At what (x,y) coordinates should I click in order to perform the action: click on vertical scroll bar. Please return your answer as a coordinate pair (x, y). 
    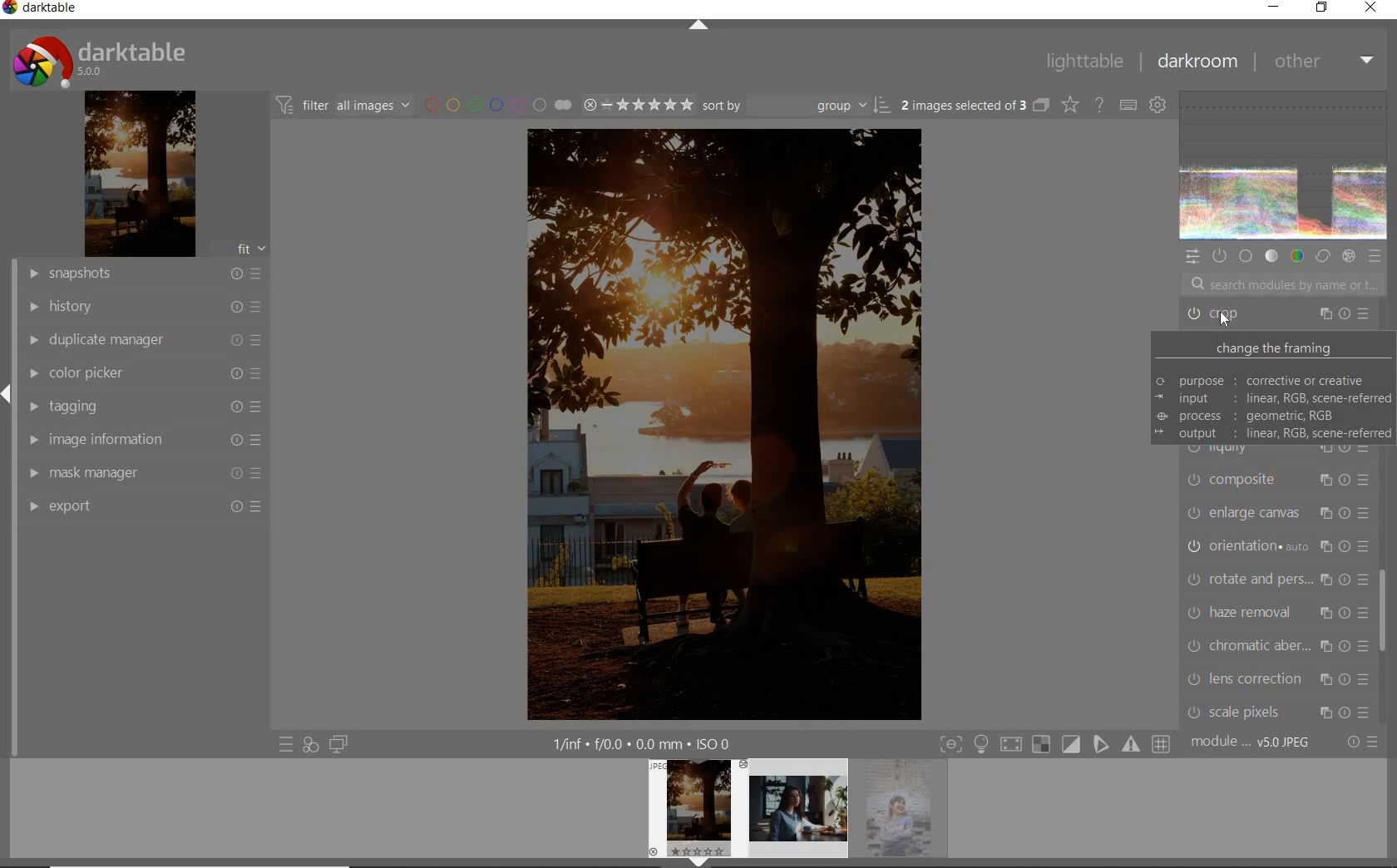
    Looking at the image, I should click on (8, 583).